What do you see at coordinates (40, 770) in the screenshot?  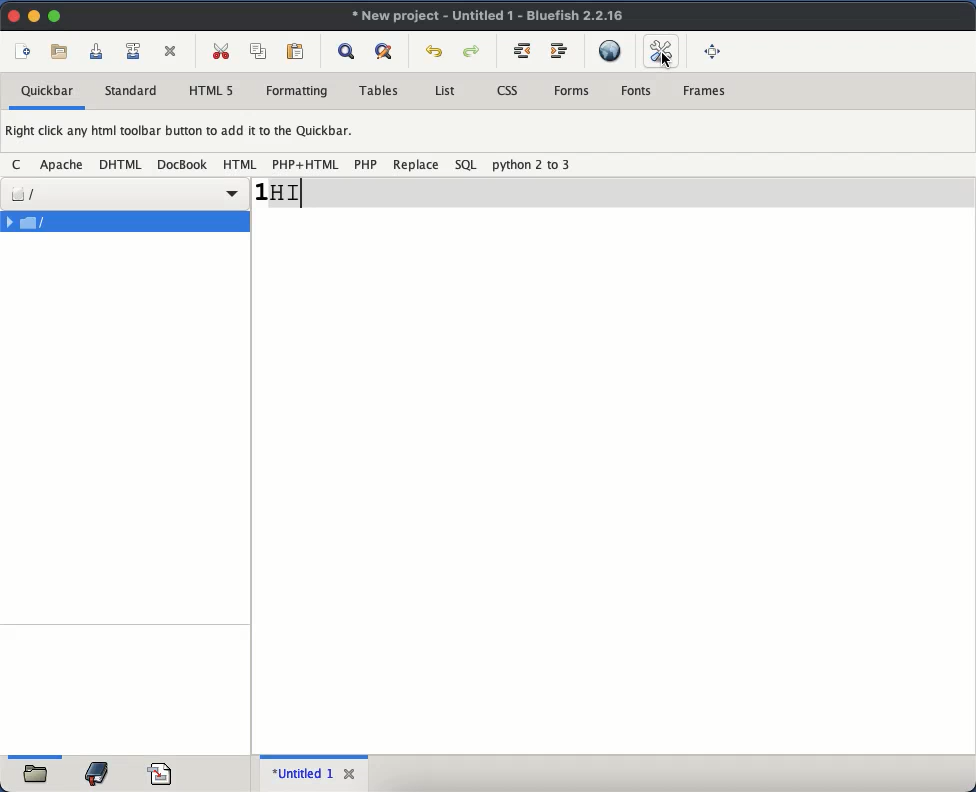 I see `open` at bounding box center [40, 770].